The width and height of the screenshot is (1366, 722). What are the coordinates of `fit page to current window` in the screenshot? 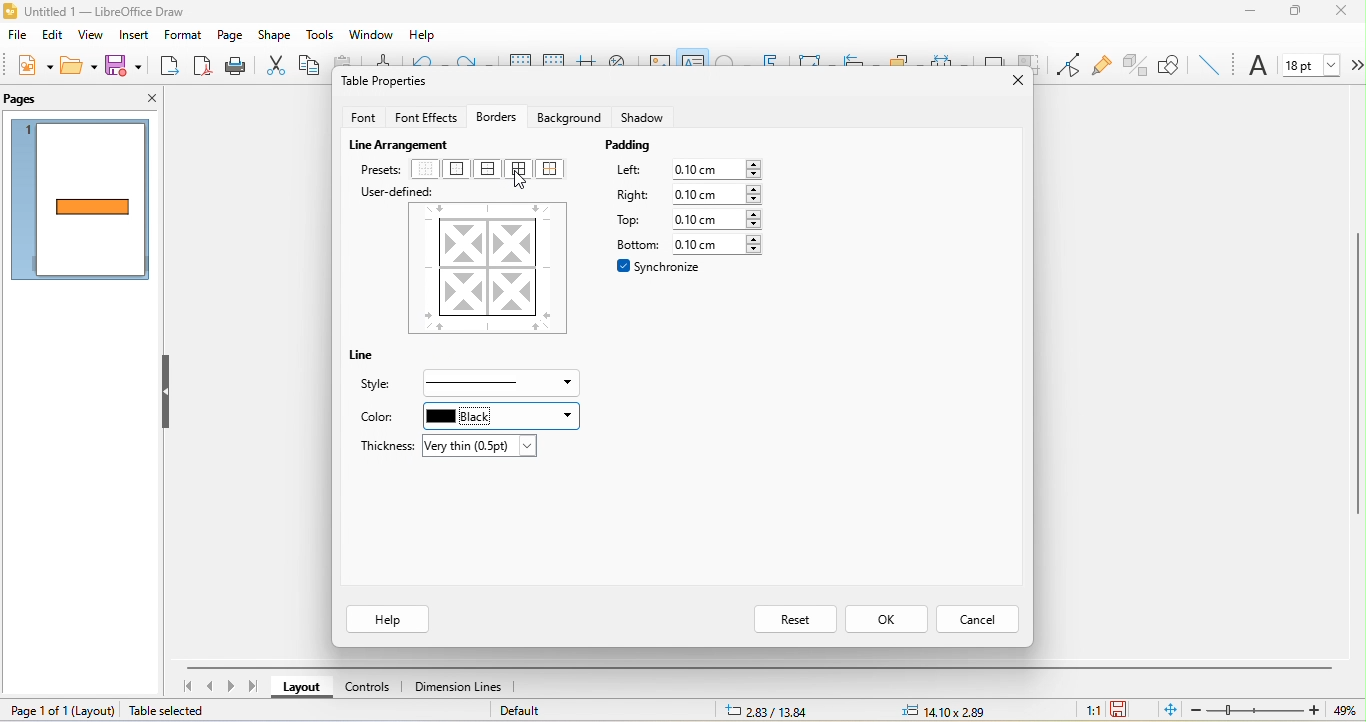 It's located at (1168, 710).